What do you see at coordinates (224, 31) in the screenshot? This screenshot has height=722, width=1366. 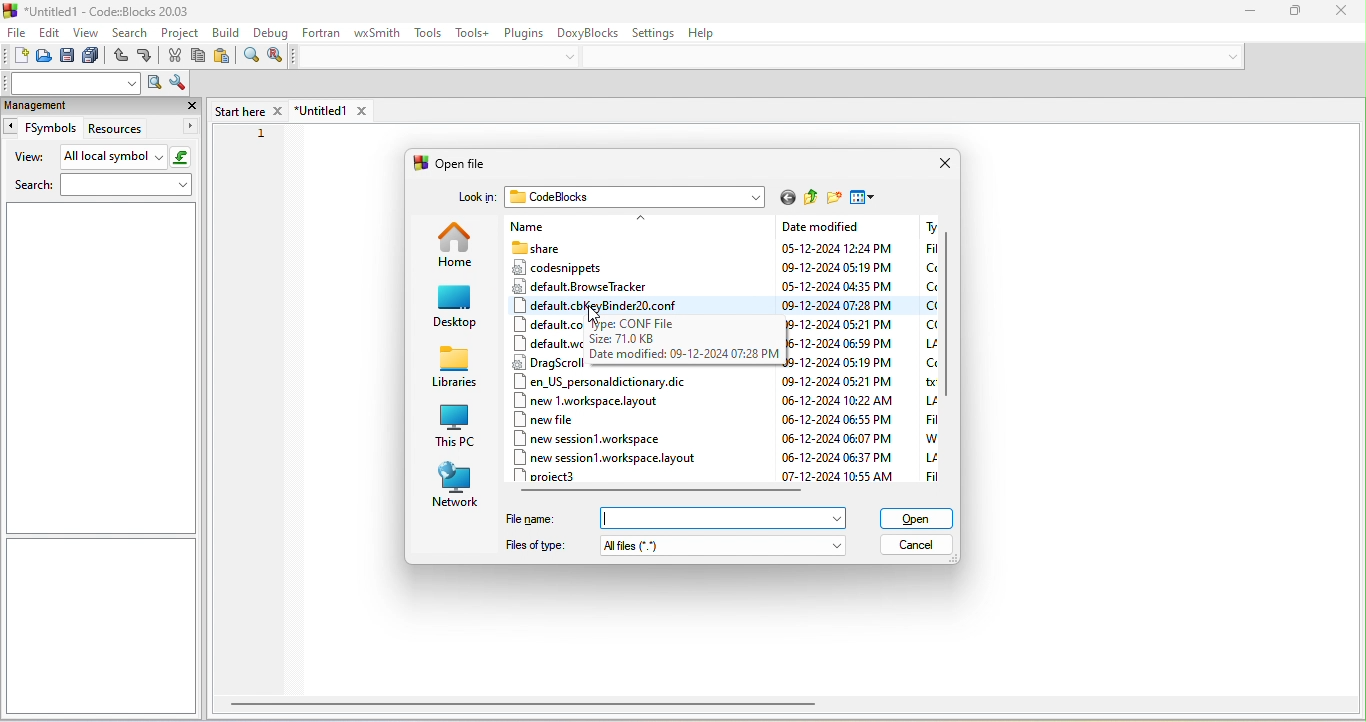 I see `build` at bounding box center [224, 31].